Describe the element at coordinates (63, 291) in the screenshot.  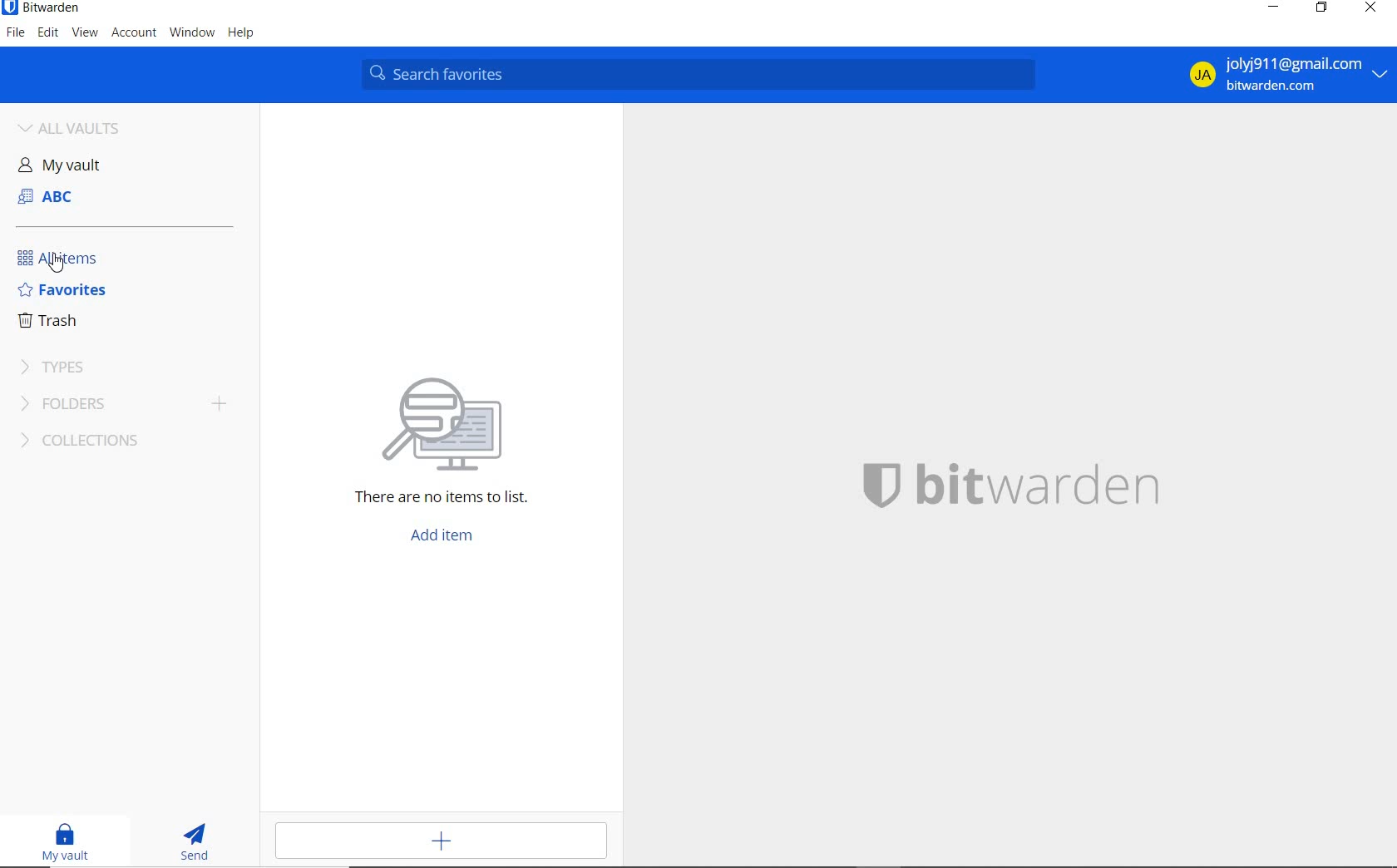
I see `FAVORITES` at that location.